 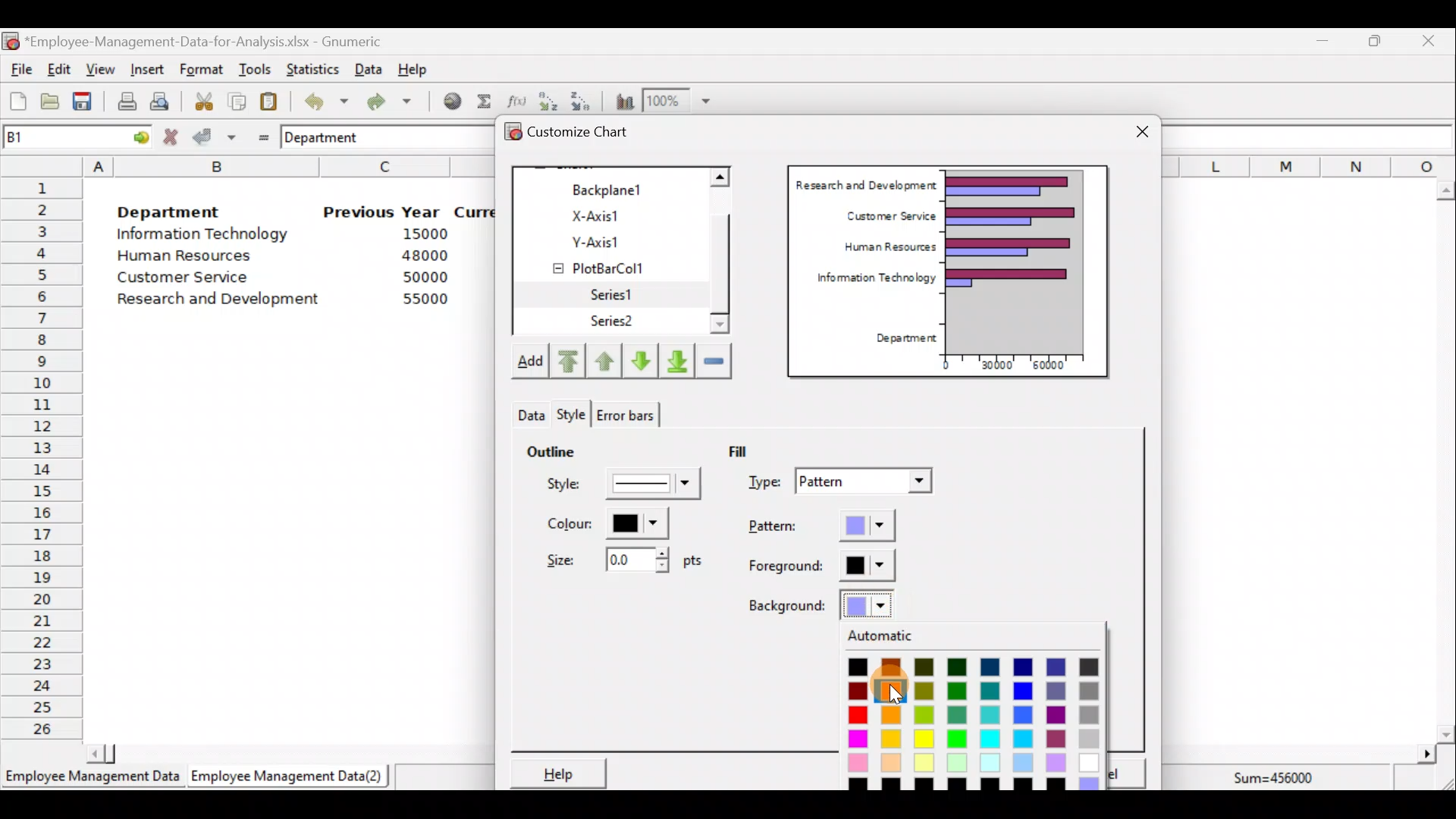 What do you see at coordinates (1142, 133) in the screenshot?
I see `Close` at bounding box center [1142, 133].